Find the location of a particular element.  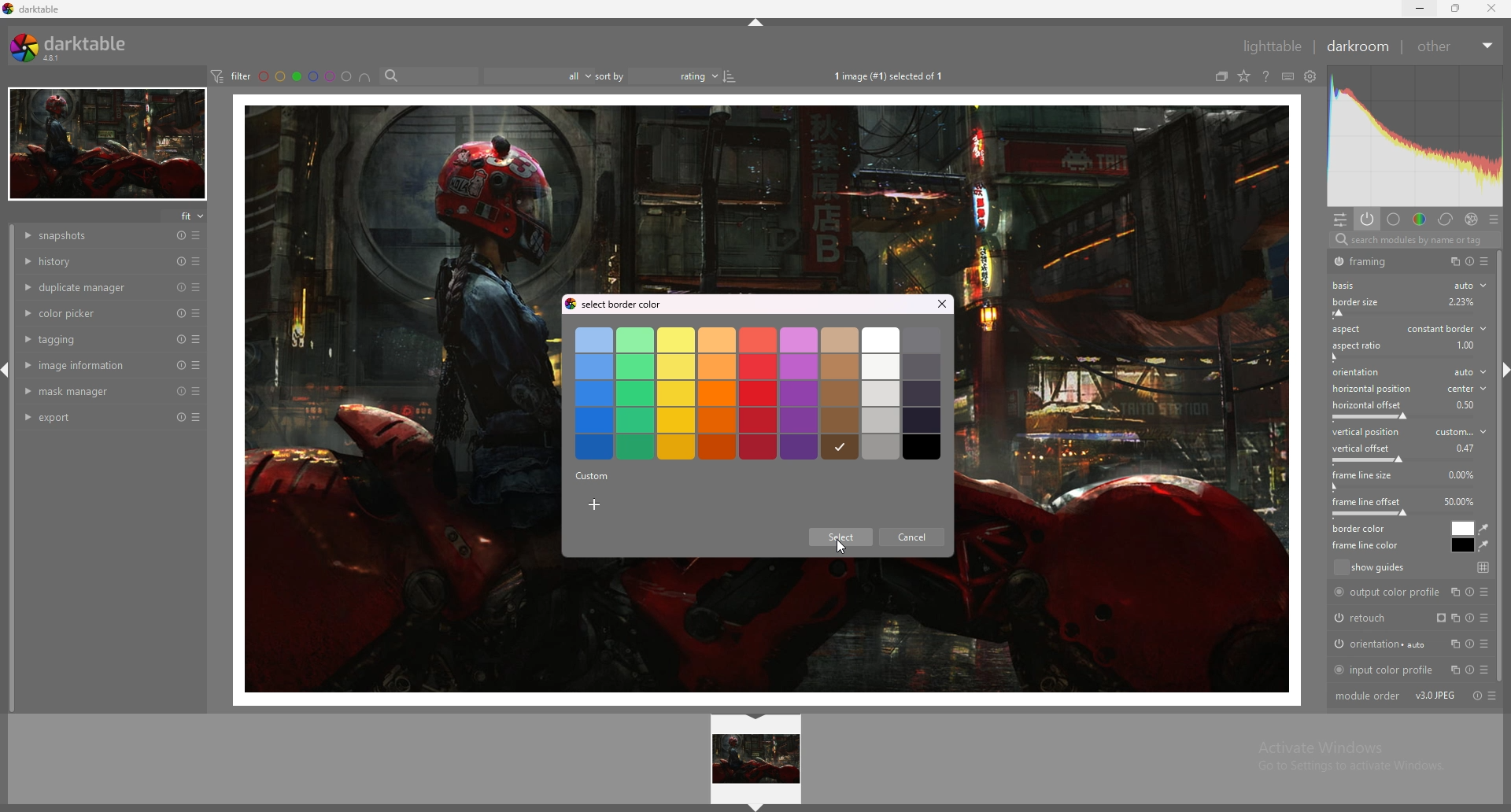

presets is located at coordinates (196, 418).